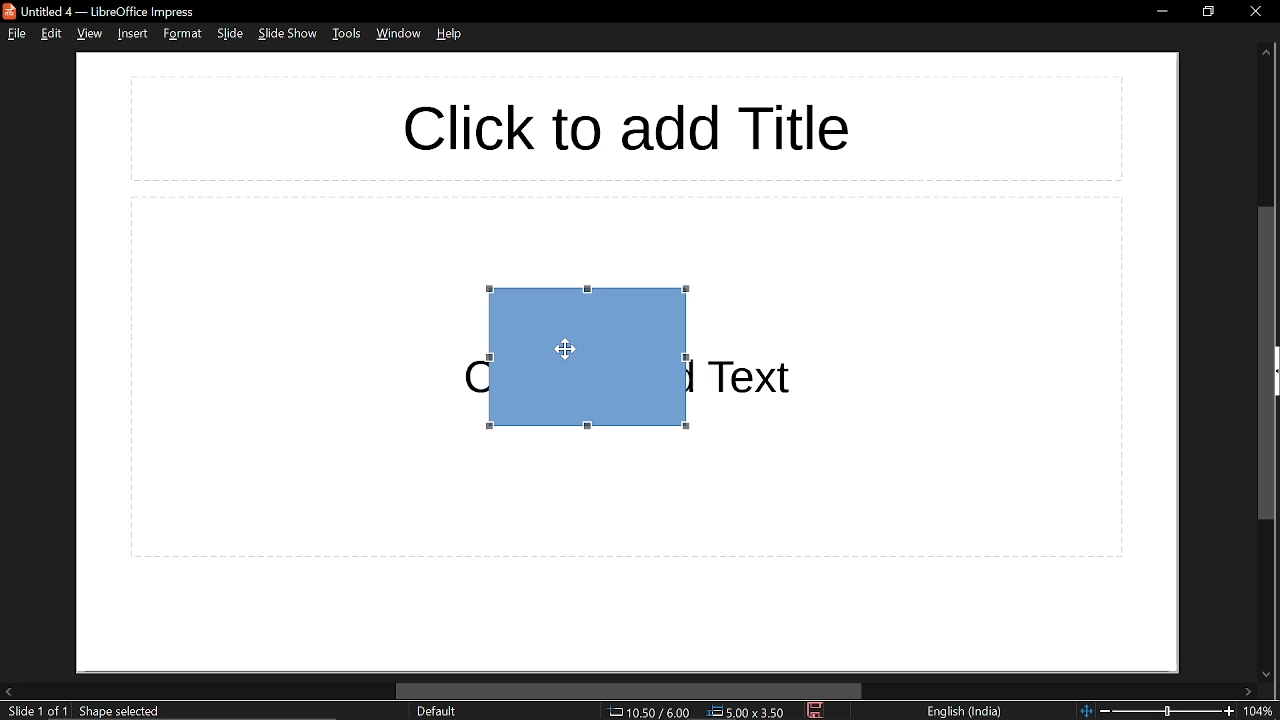  I want to click on Space for title, so click(616, 127).